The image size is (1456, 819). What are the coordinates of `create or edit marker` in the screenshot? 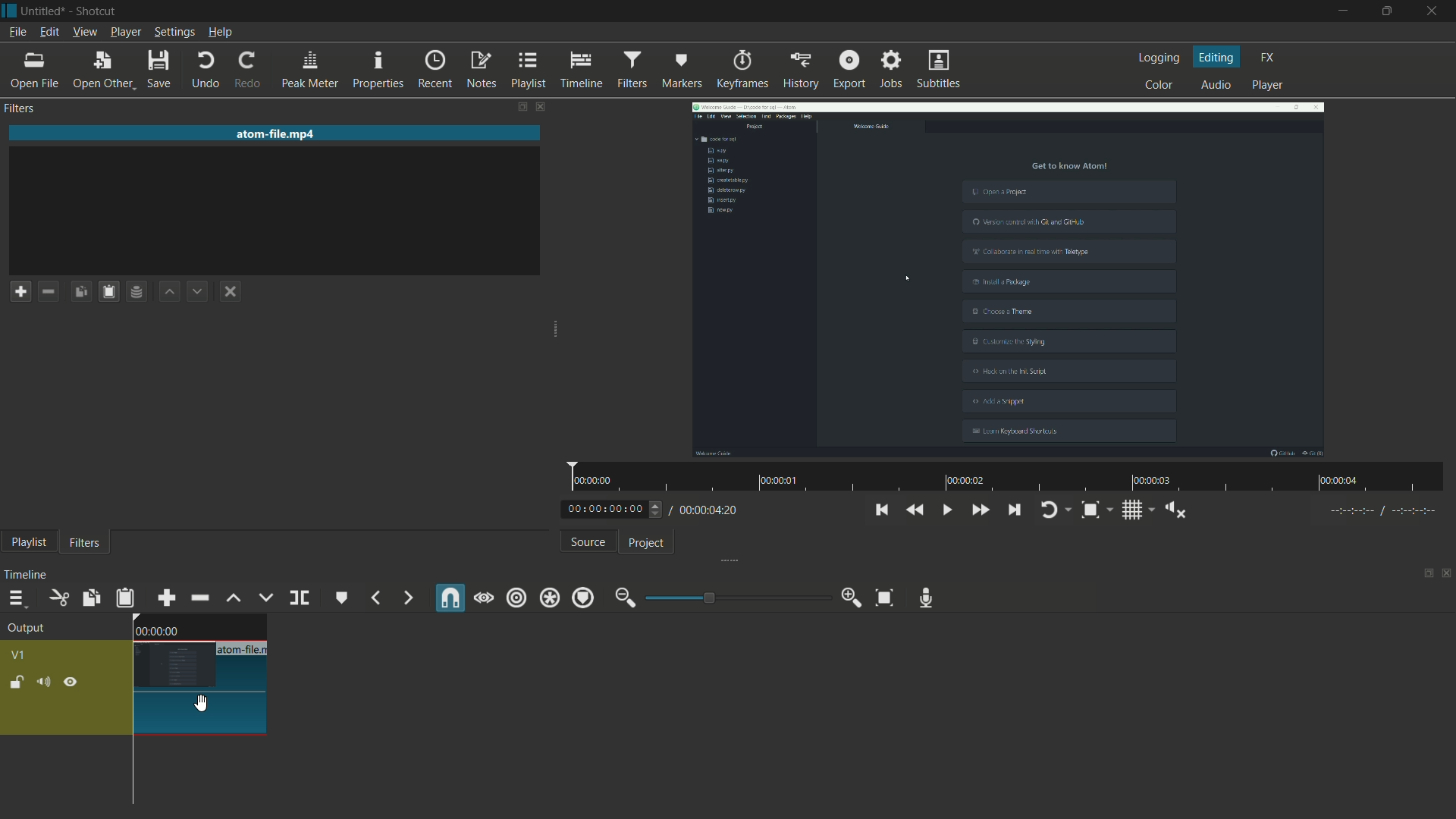 It's located at (339, 598).